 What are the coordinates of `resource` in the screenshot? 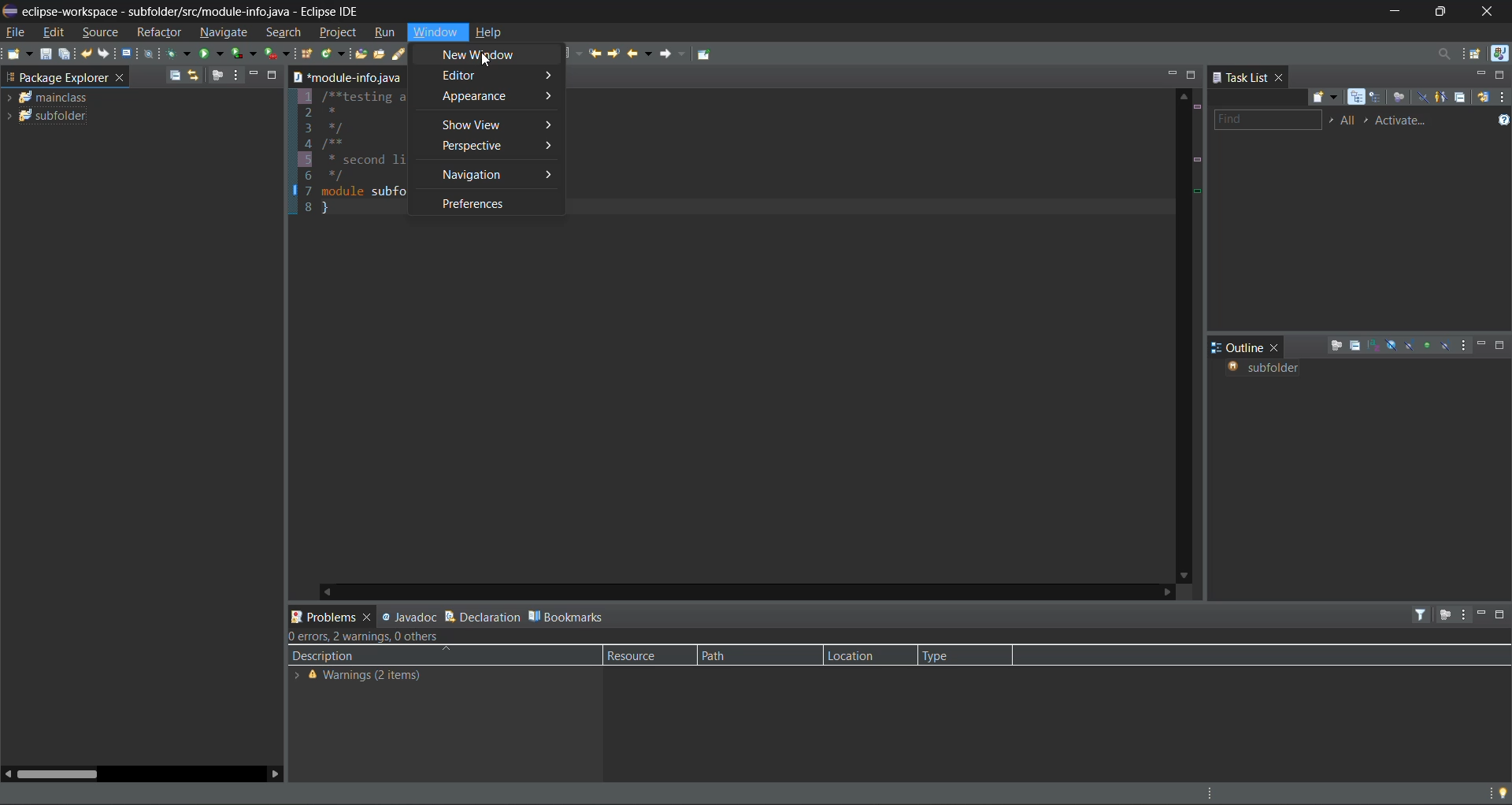 It's located at (639, 655).